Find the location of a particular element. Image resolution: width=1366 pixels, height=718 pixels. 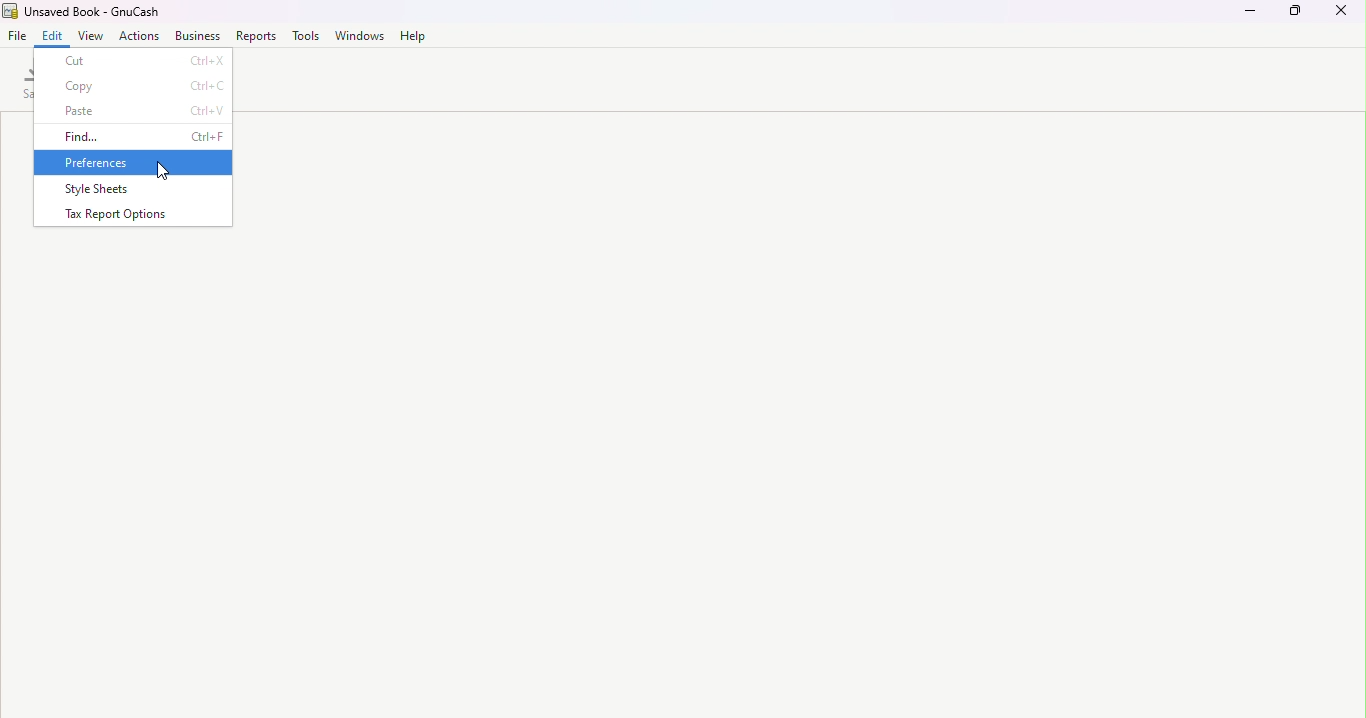

Tools is located at coordinates (306, 36).